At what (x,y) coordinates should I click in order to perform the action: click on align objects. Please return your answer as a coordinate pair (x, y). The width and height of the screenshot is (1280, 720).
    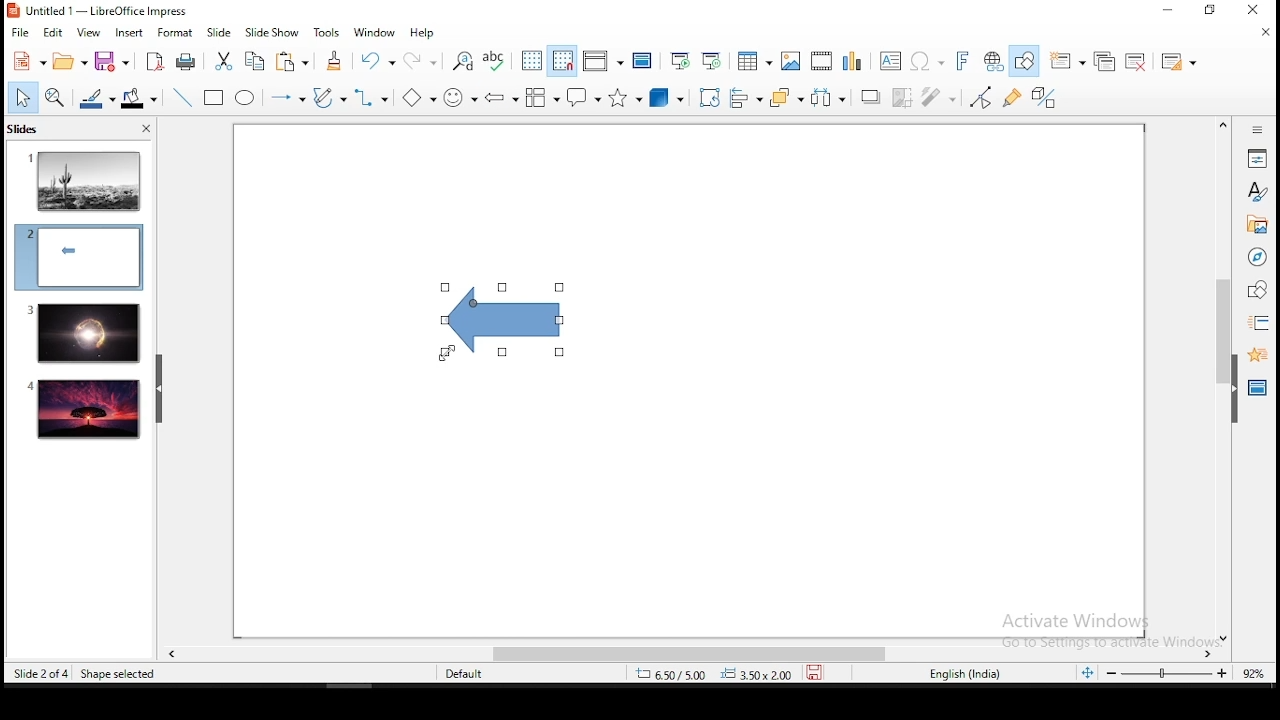
    Looking at the image, I should click on (751, 99).